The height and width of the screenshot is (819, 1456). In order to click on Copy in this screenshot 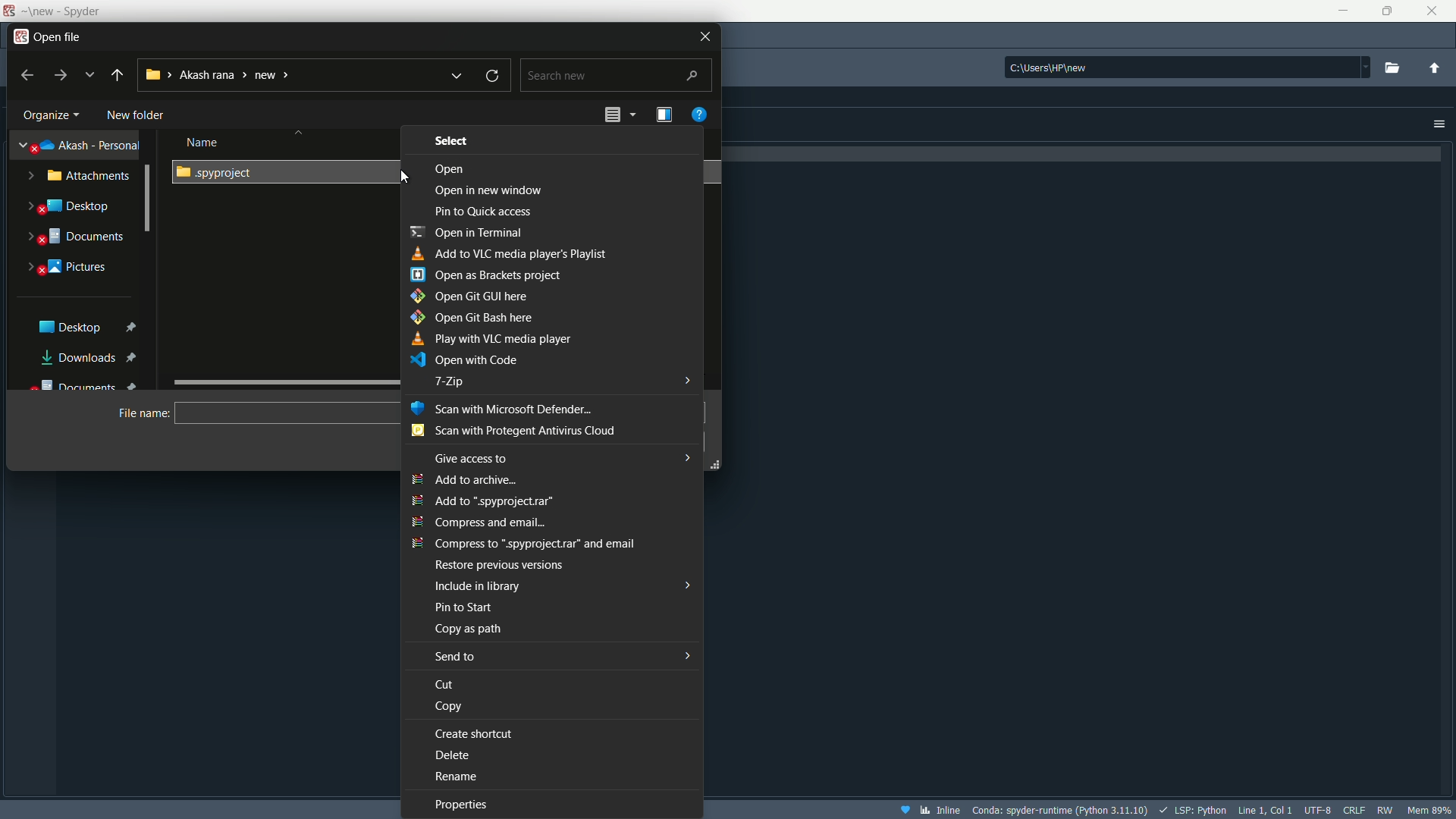, I will do `click(448, 708)`.